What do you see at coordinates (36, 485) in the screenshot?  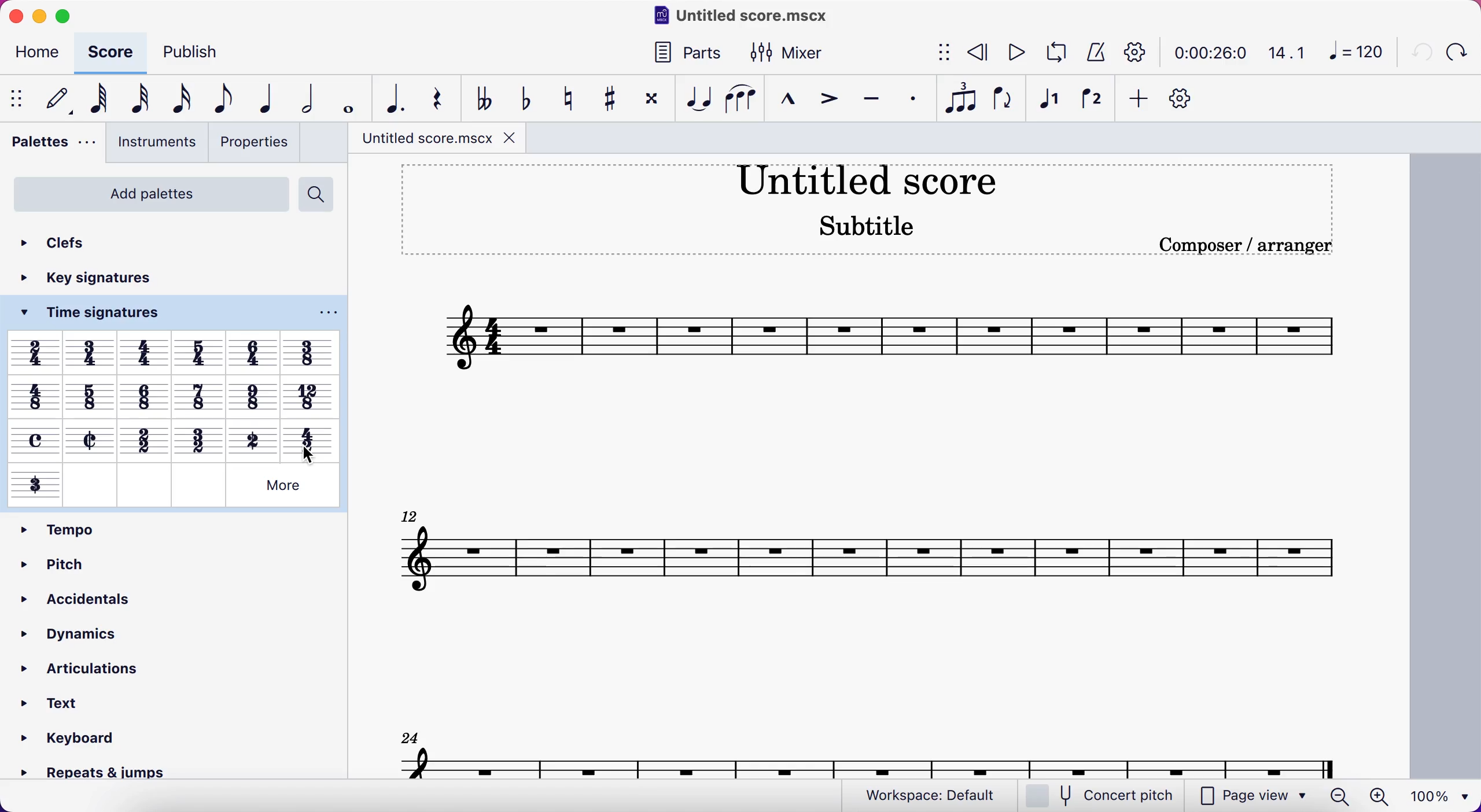 I see `` at bounding box center [36, 485].